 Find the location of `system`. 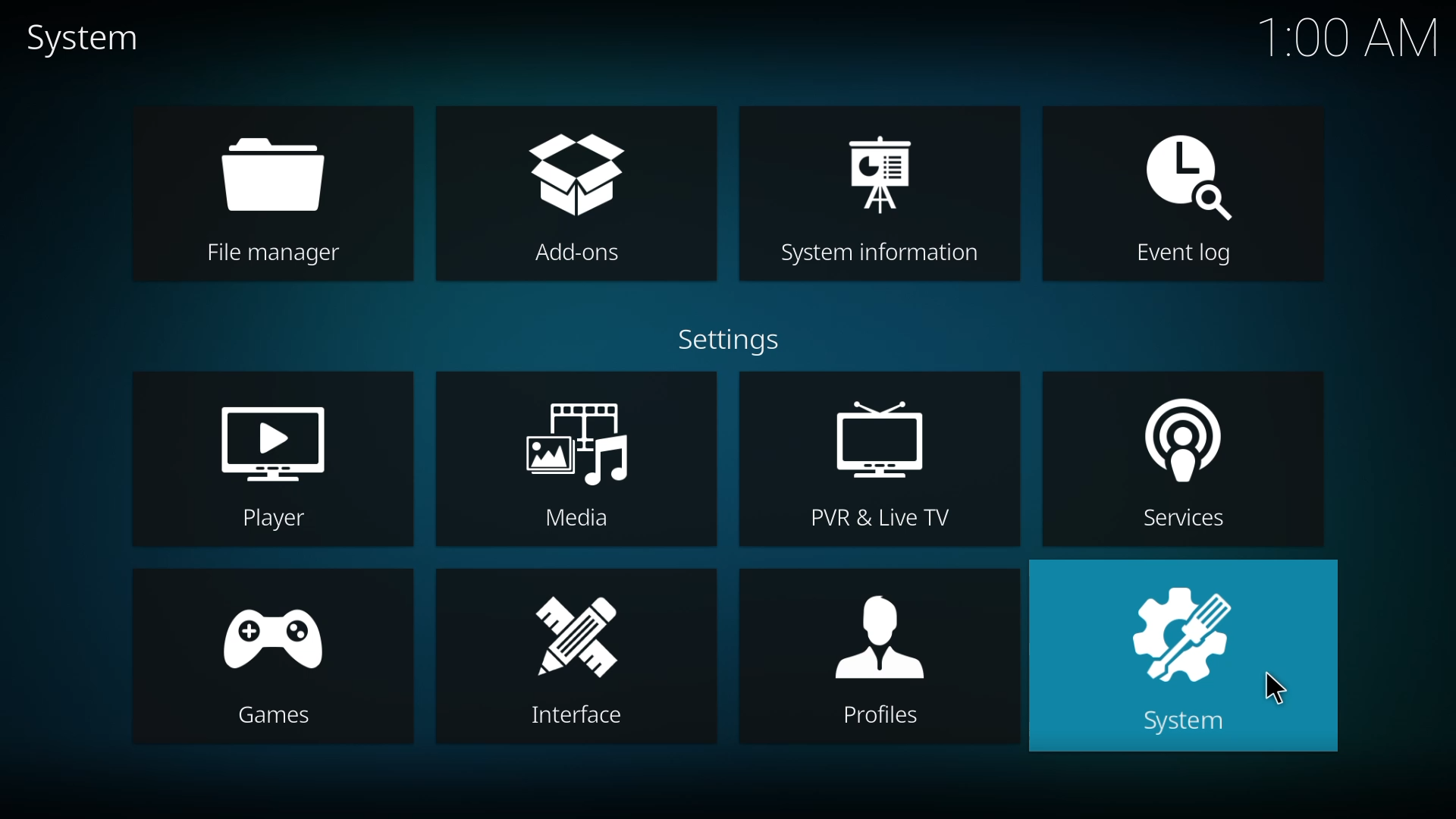

system is located at coordinates (1181, 656).